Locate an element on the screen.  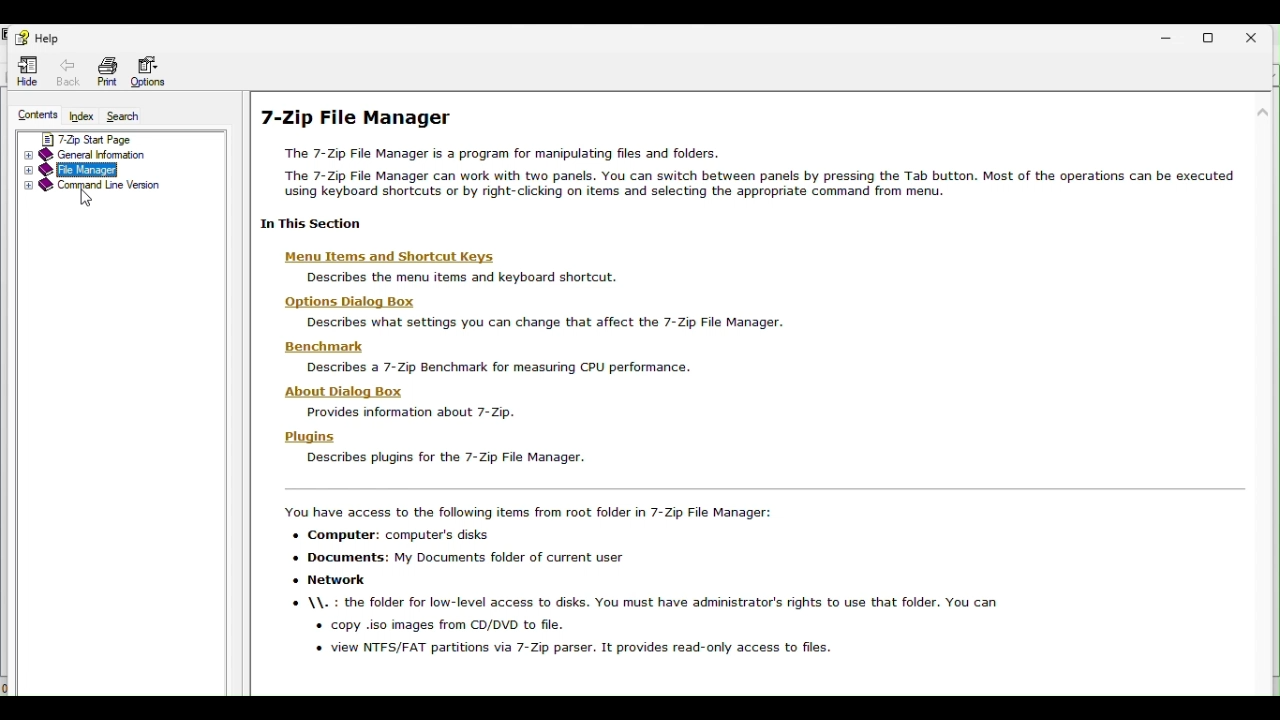
7-Zip File Manager
The 7-Zip File Manager is a program for manipulating files and folders.
‘The 7-Zip File Manager can work with two panels. You can switch between panels by pressing the Tab button. Most of the operations can be executed
Perfo. in nf sp proper typ Sgr pees an welt today is located at coordinates (747, 170).